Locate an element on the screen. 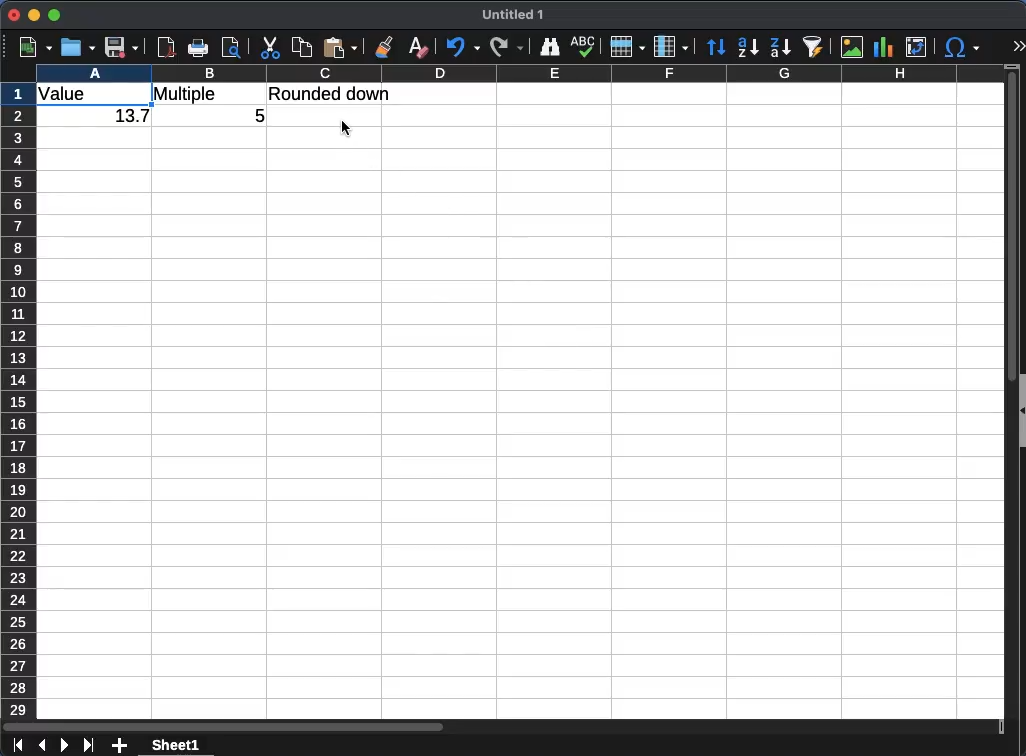 This screenshot has height=756, width=1026. pivot table is located at coordinates (920, 48).